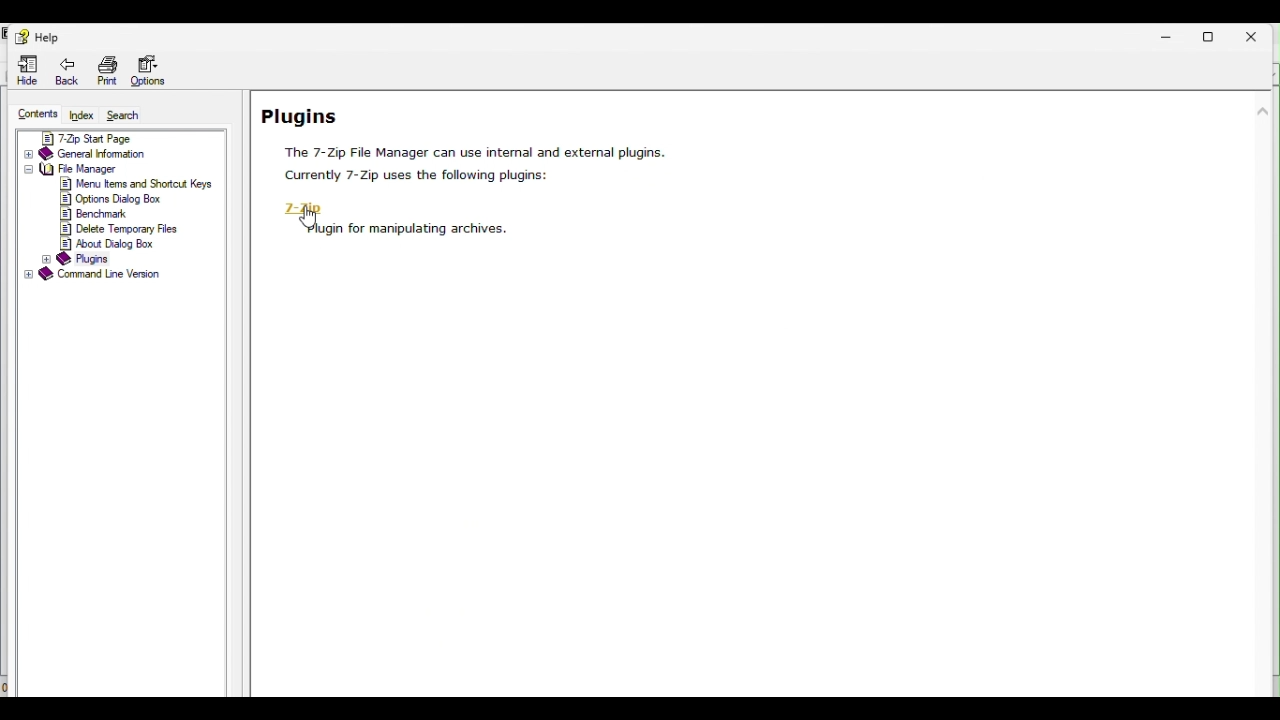 This screenshot has height=720, width=1280. Describe the element at coordinates (1259, 34) in the screenshot. I see `Close` at that location.